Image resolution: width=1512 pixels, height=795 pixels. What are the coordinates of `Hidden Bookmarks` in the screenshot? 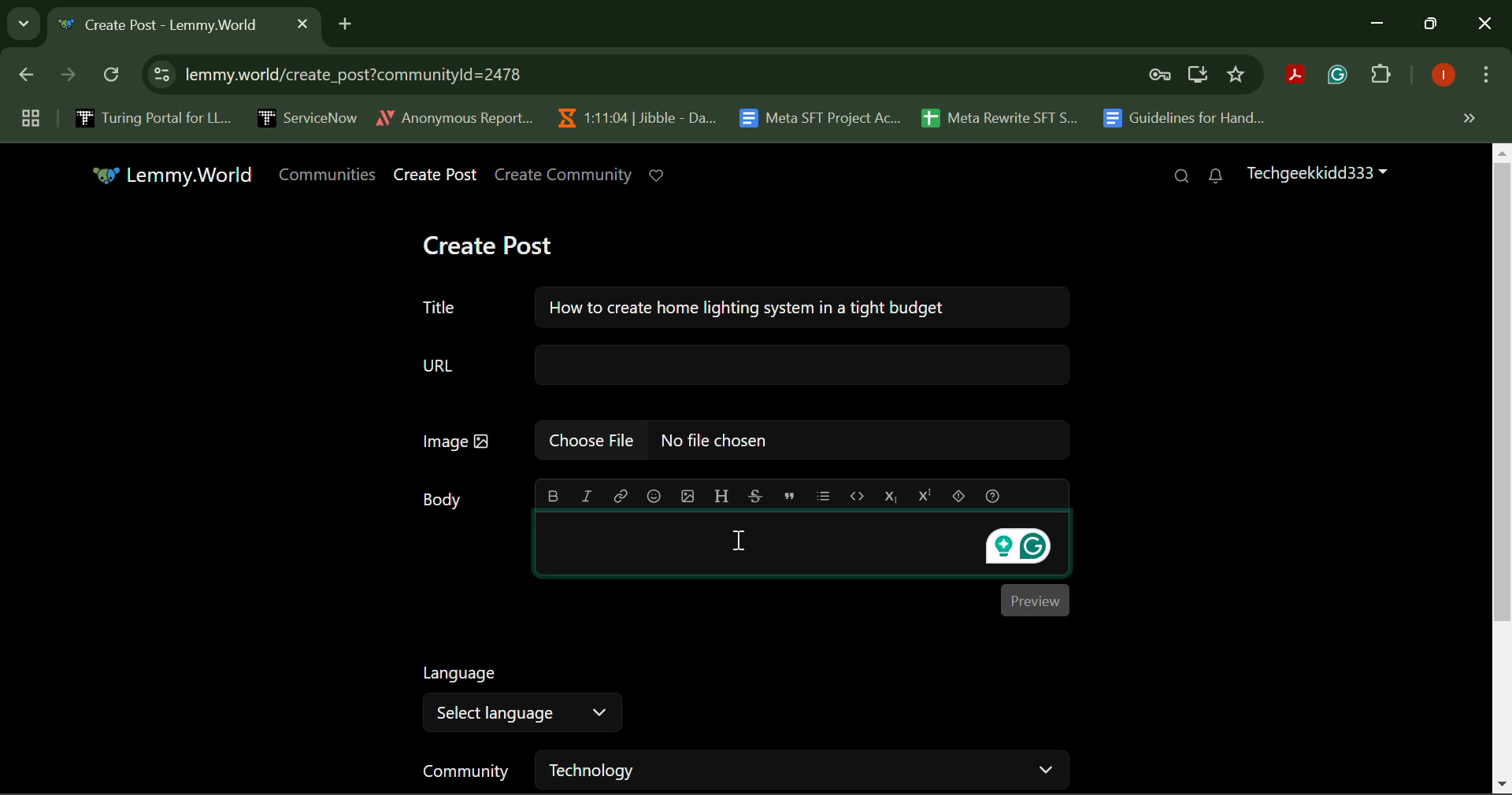 It's located at (1468, 117).